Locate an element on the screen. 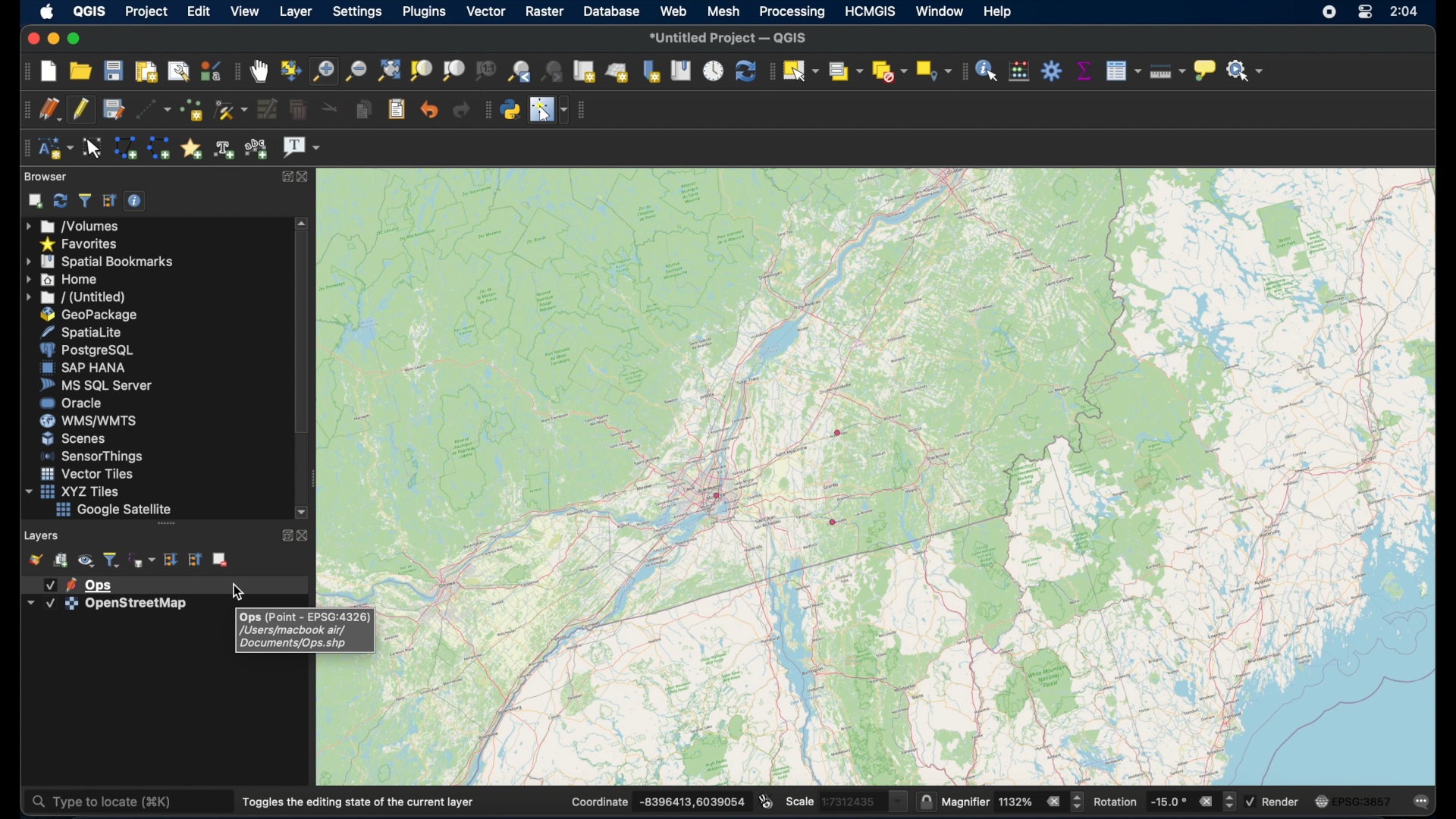 This screenshot has width=1456, height=819. refresh is located at coordinates (62, 199).